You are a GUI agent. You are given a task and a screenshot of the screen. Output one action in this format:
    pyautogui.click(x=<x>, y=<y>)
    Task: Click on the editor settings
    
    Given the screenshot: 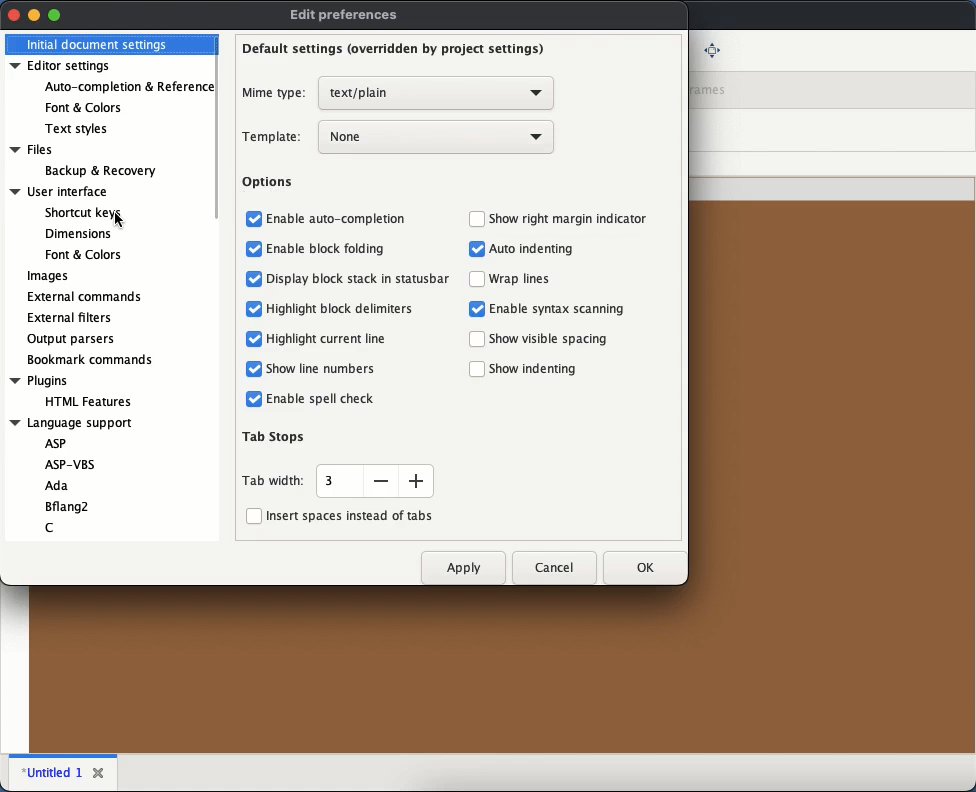 What is the action you would take?
    pyautogui.click(x=65, y=65)
    